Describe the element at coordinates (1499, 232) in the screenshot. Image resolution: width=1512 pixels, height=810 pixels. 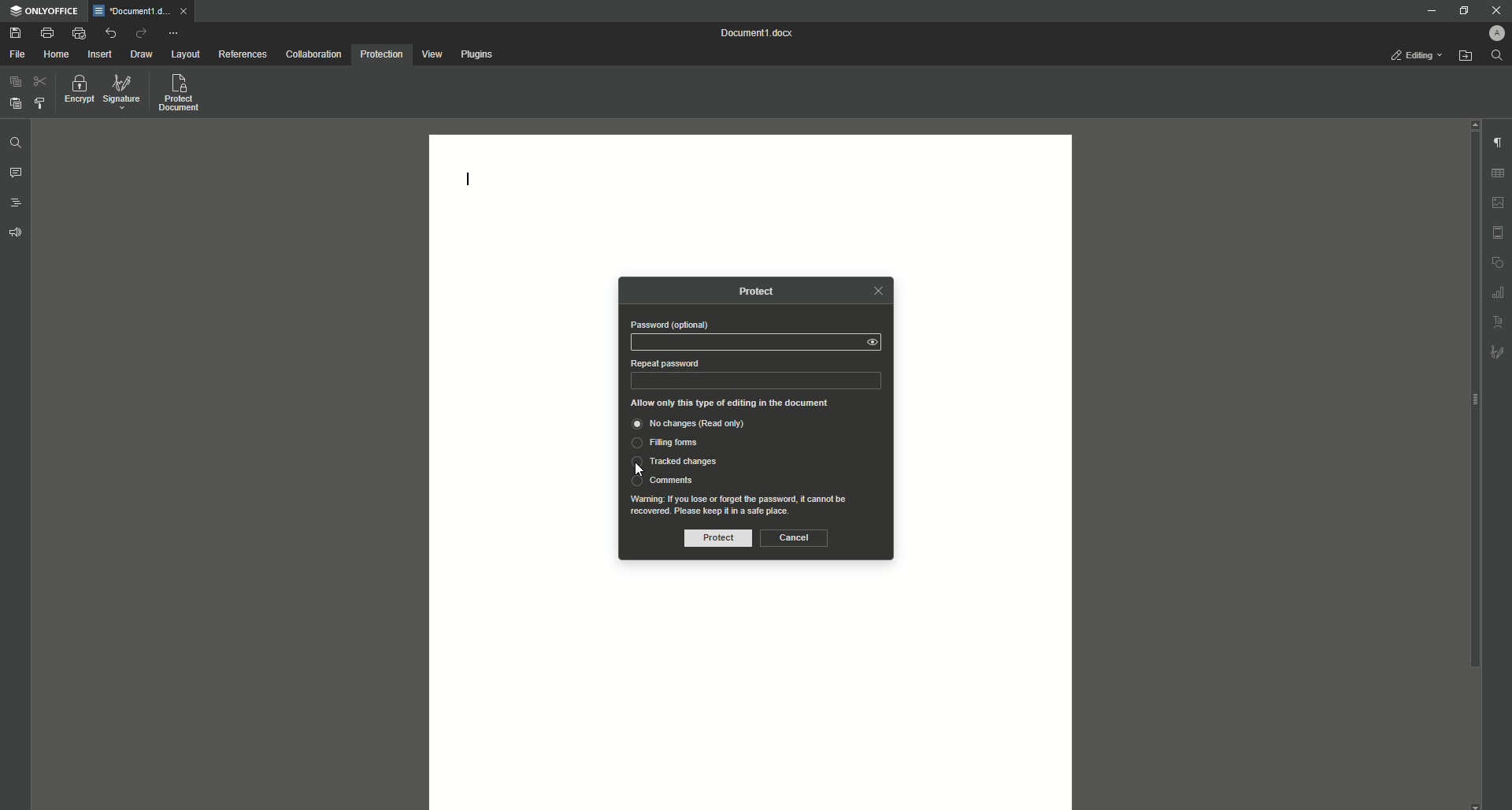
I see `Header/Footer settings` at that location.